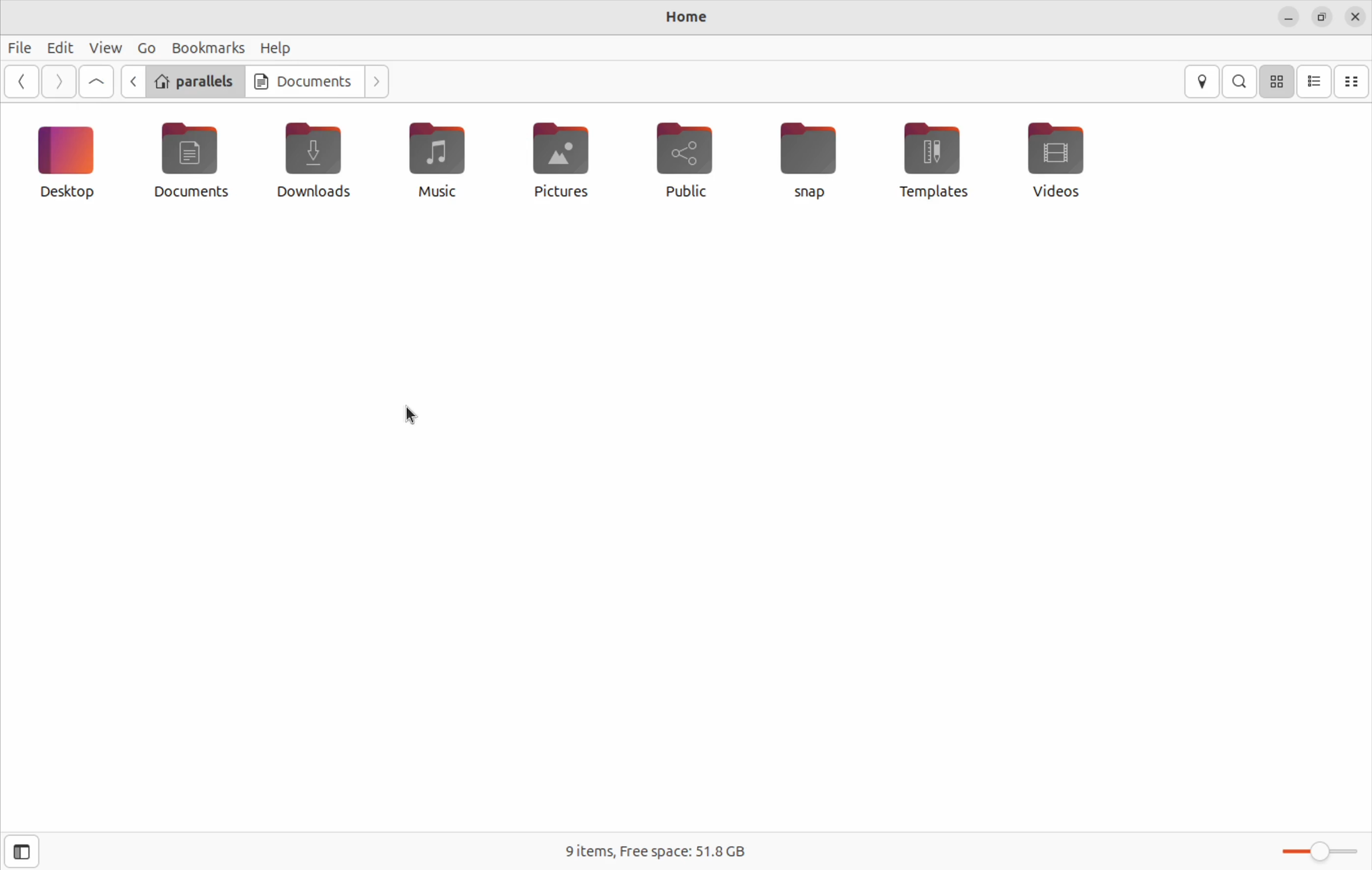 This screenshot has height=870, width=1372. What do you see at coordinates (145, 48) in the screenshot?
I see `Go` at bounding box center [145, 48].